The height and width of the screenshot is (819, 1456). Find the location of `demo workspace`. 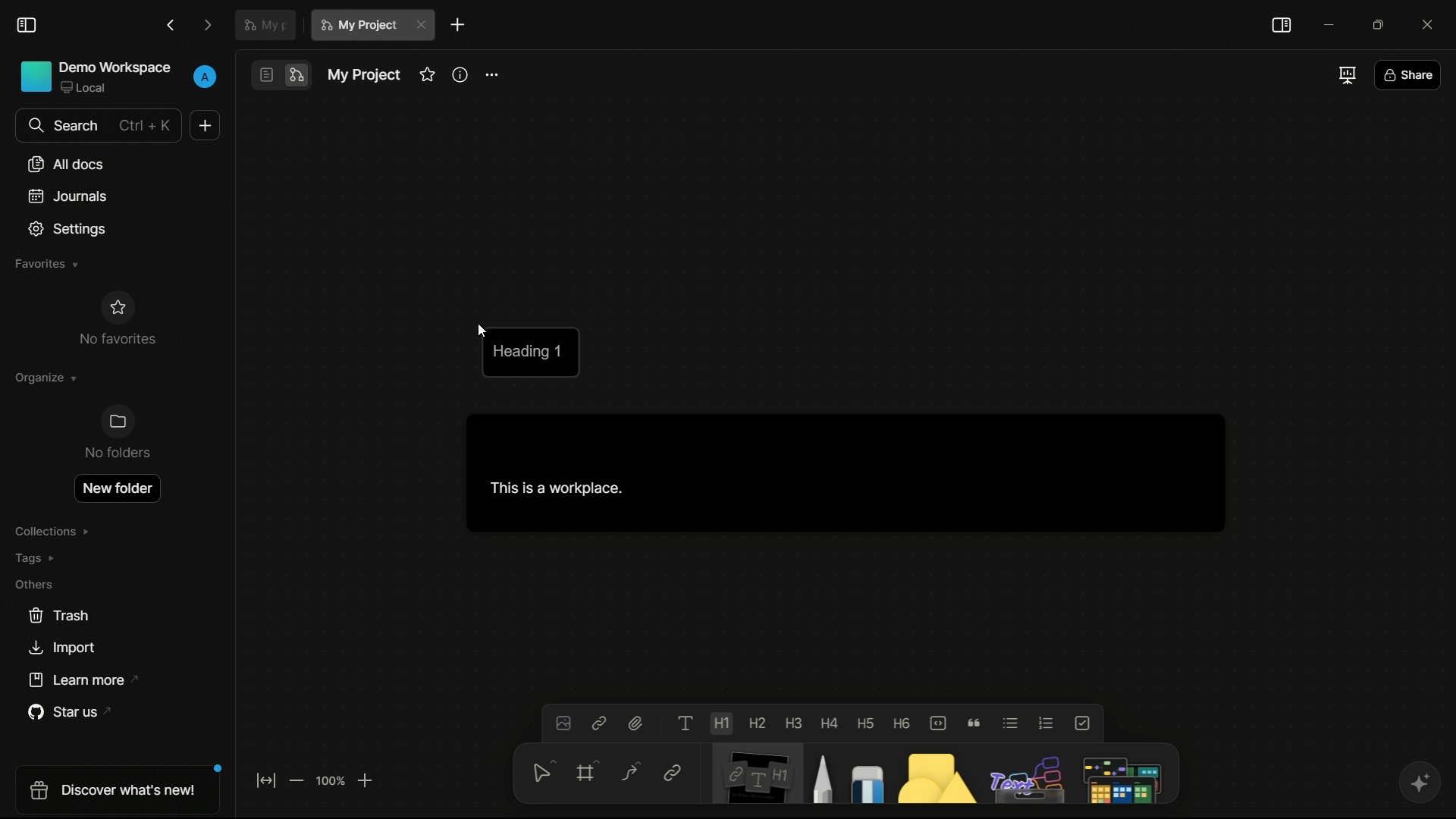

demo workspace is located at coordinates (100, 77).